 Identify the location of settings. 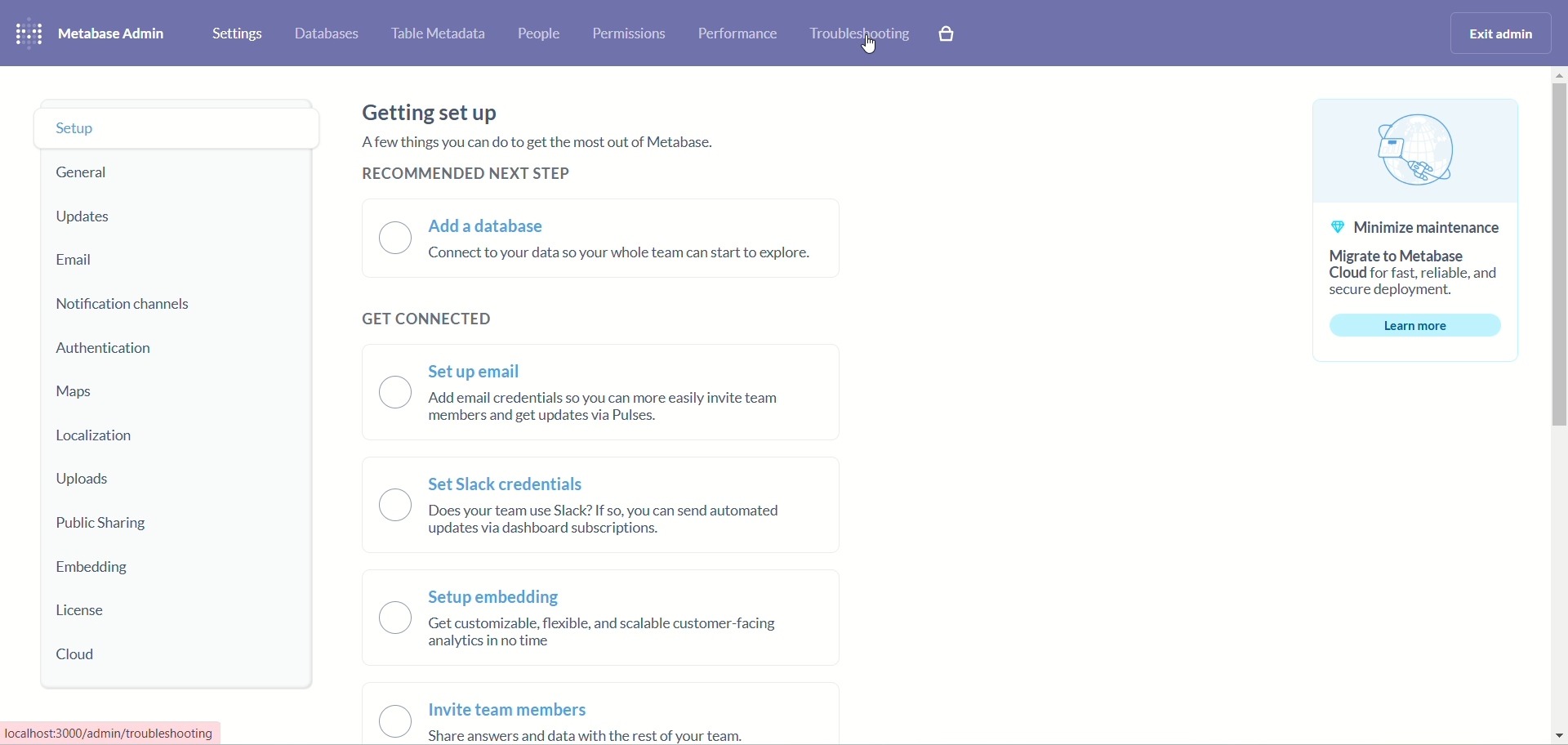
(237, 33).